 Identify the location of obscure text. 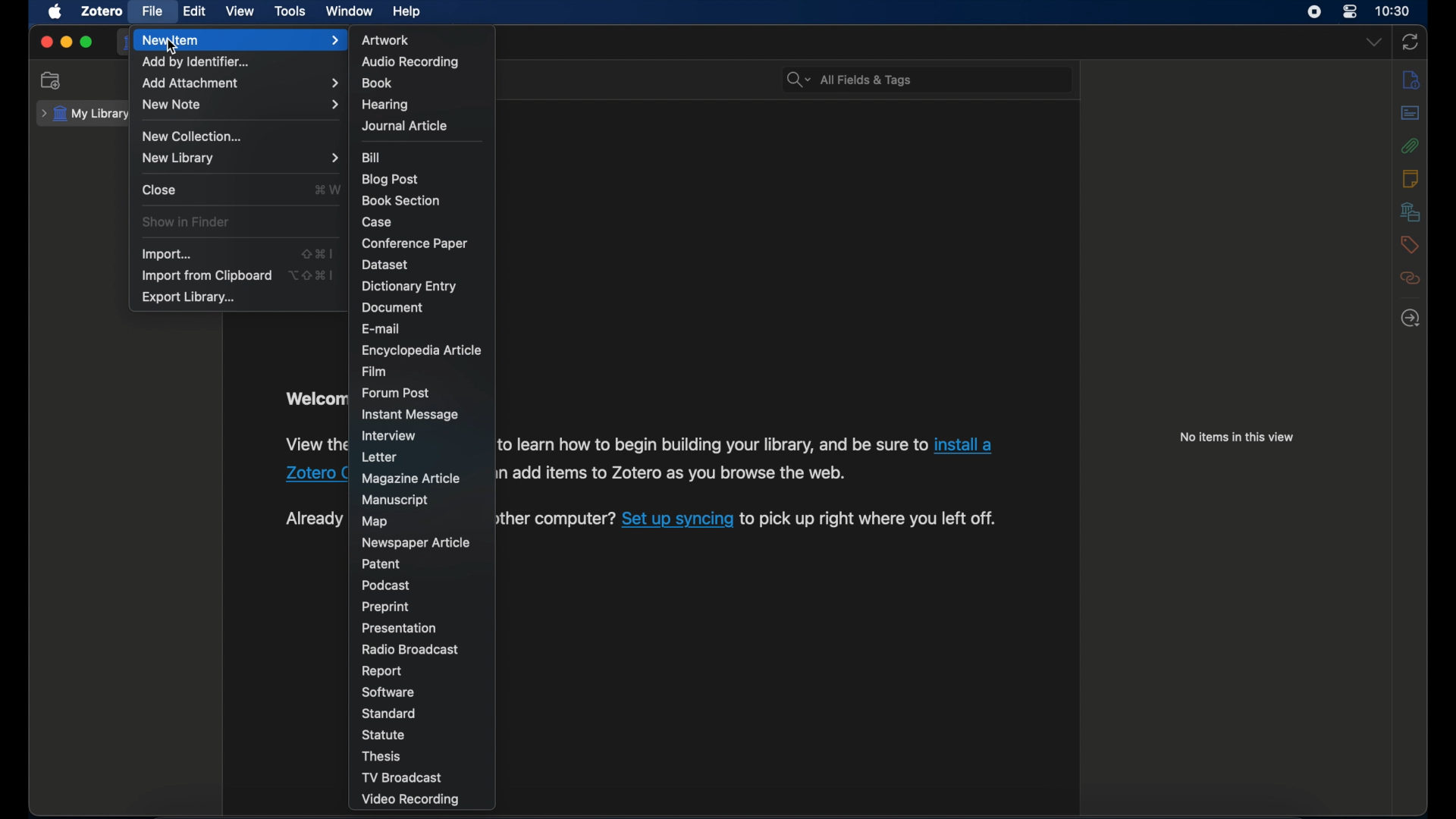
(312, 447).